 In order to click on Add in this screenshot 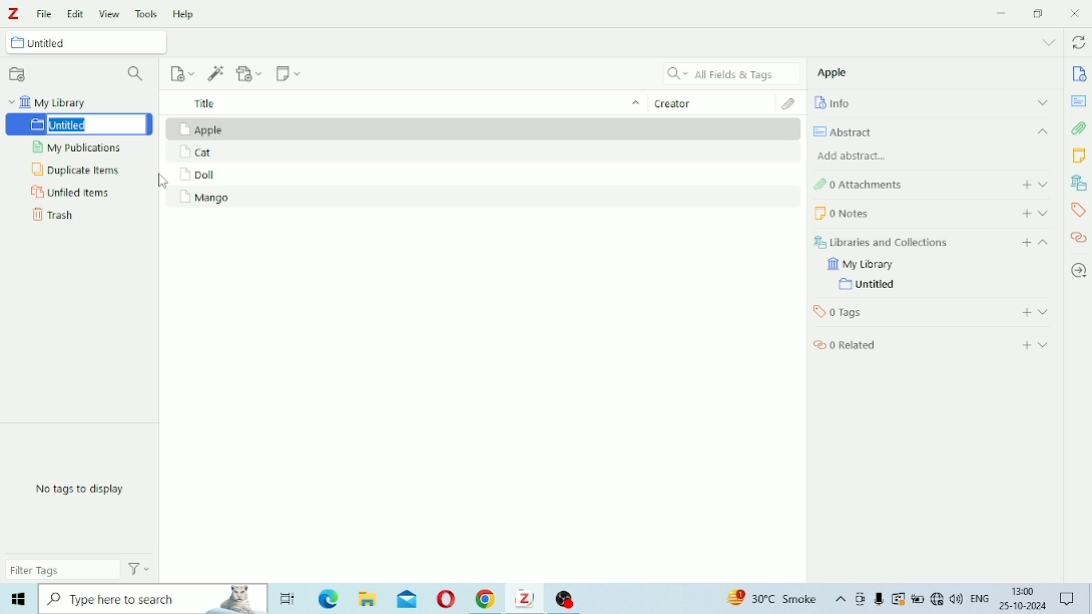, I will do `click(1027, 243)`.